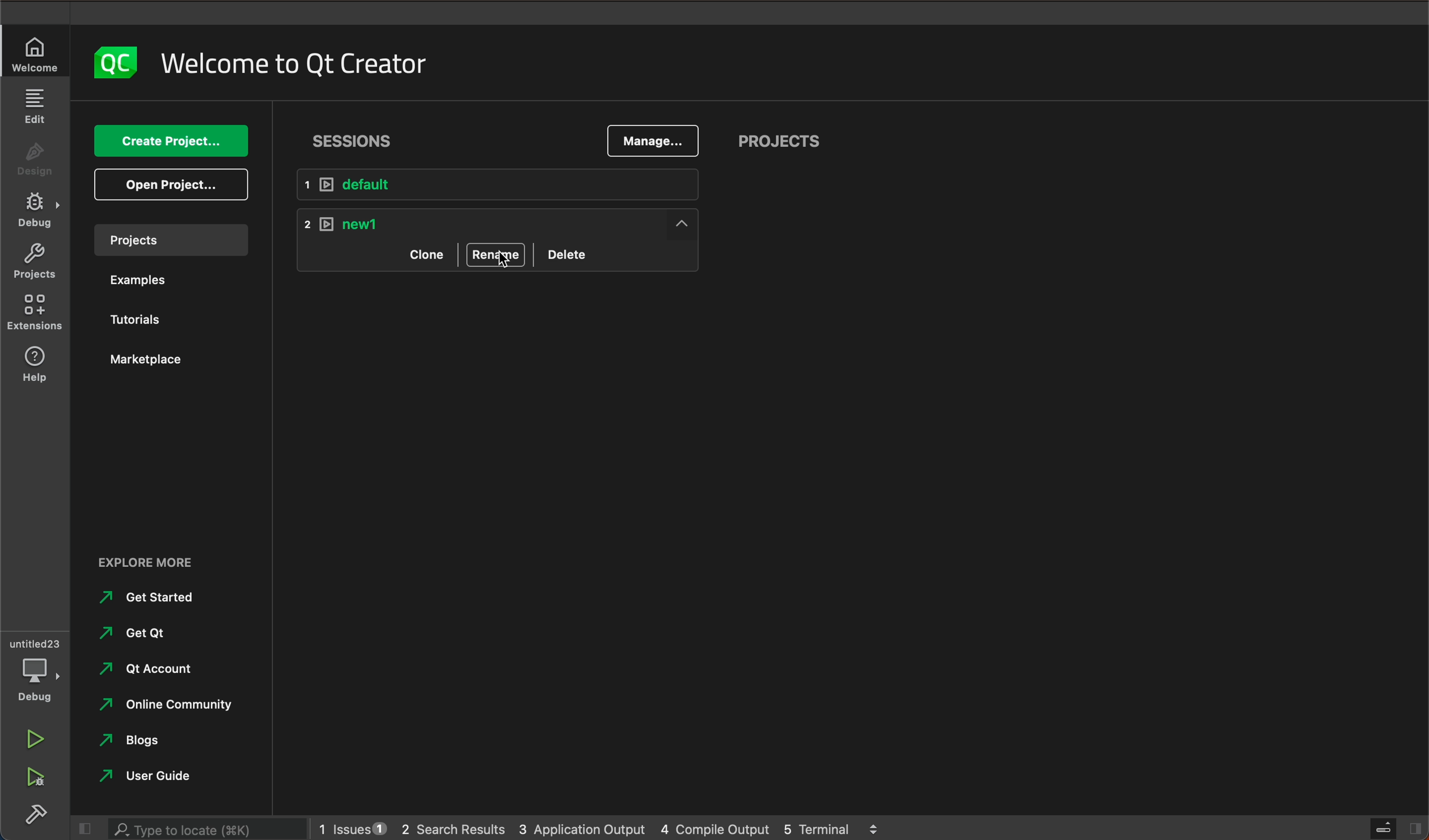 The height and width of the screenshot is (840, 1429). I want to click on examples, so click(149, 281).